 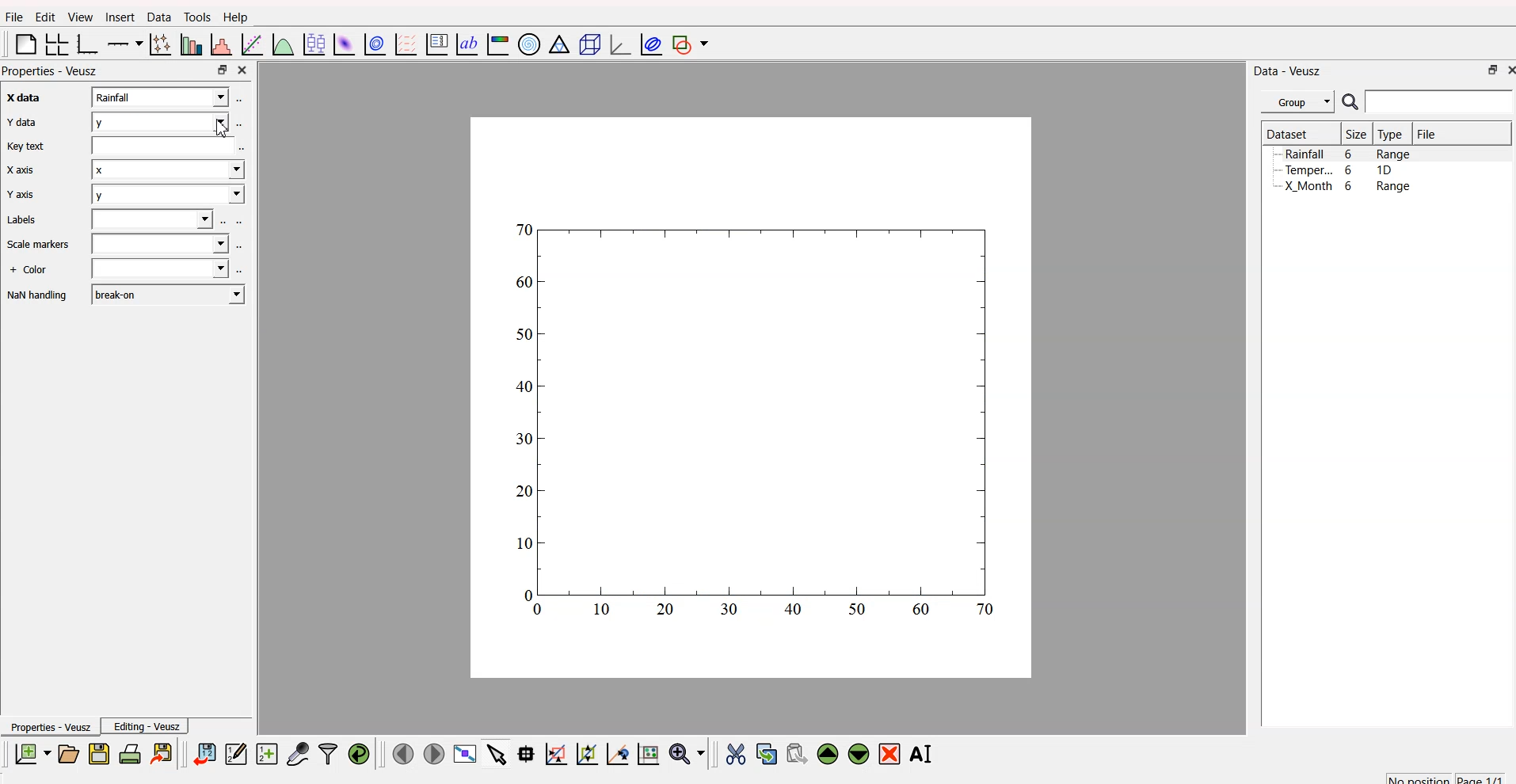 I want to click on Dataset, so click(x=1287, y=133).